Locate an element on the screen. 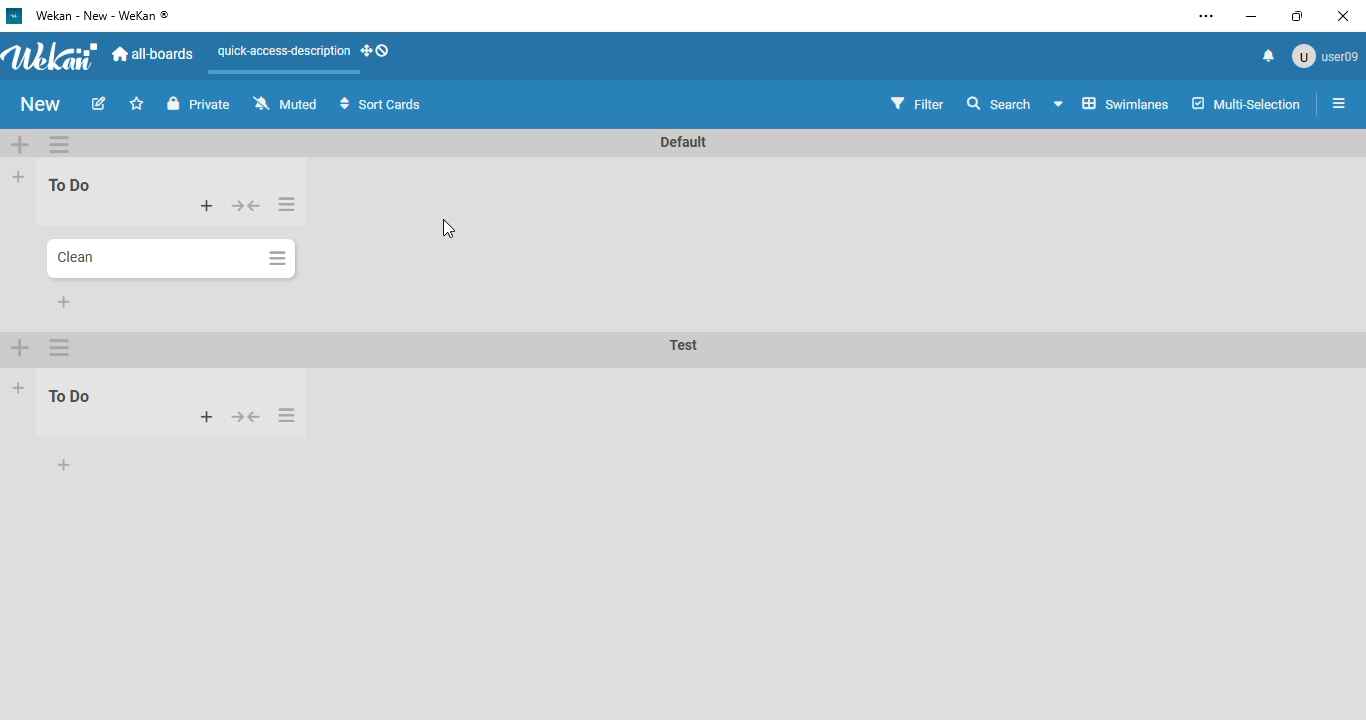 The image size is (1366, 720). click to star this board is located at coordinates (138, 103).